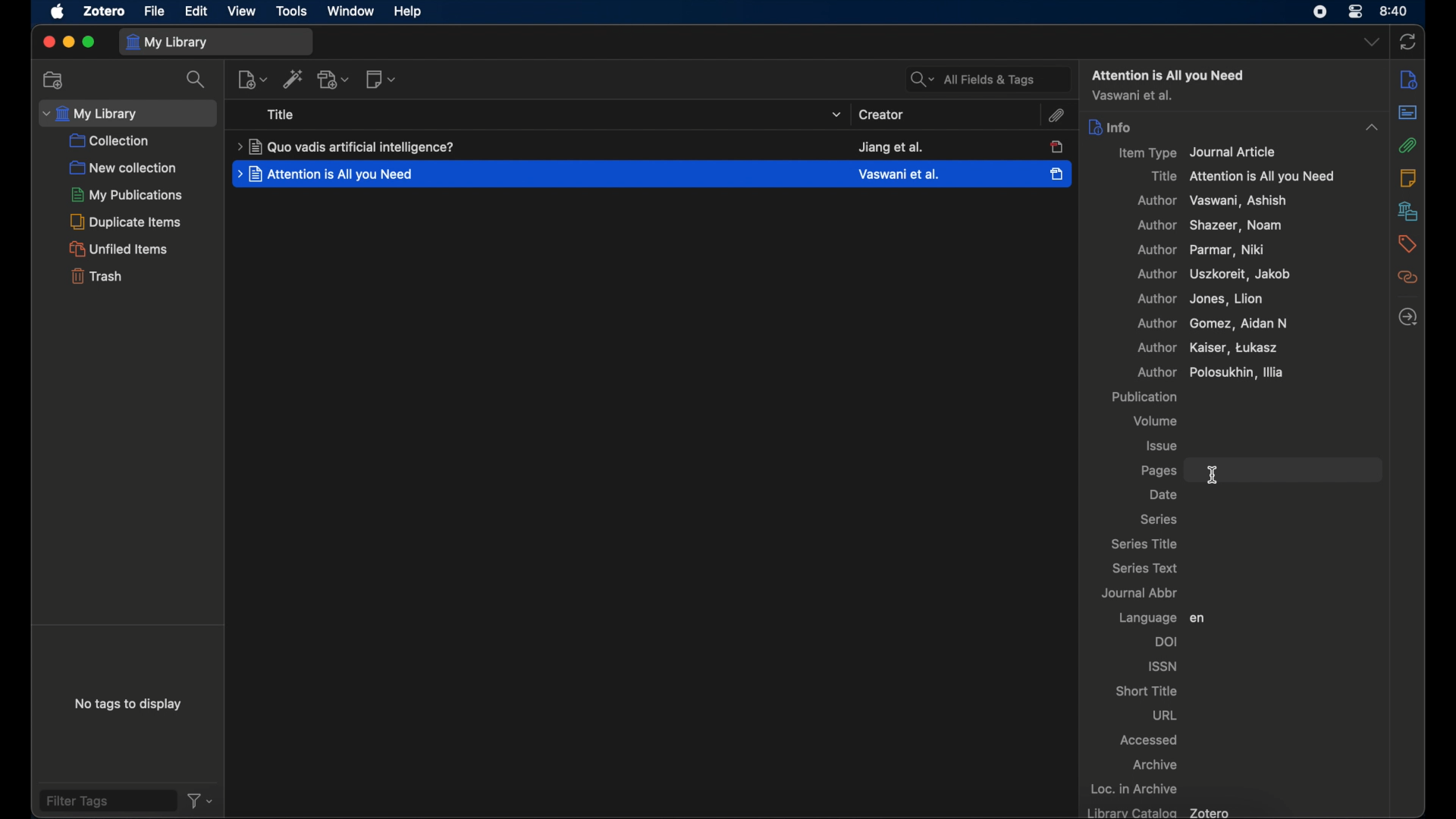  What do you see at coordinates (1322, 11) in the screenshot?
I see `screen recorder` at bounding box center [1322, 11].